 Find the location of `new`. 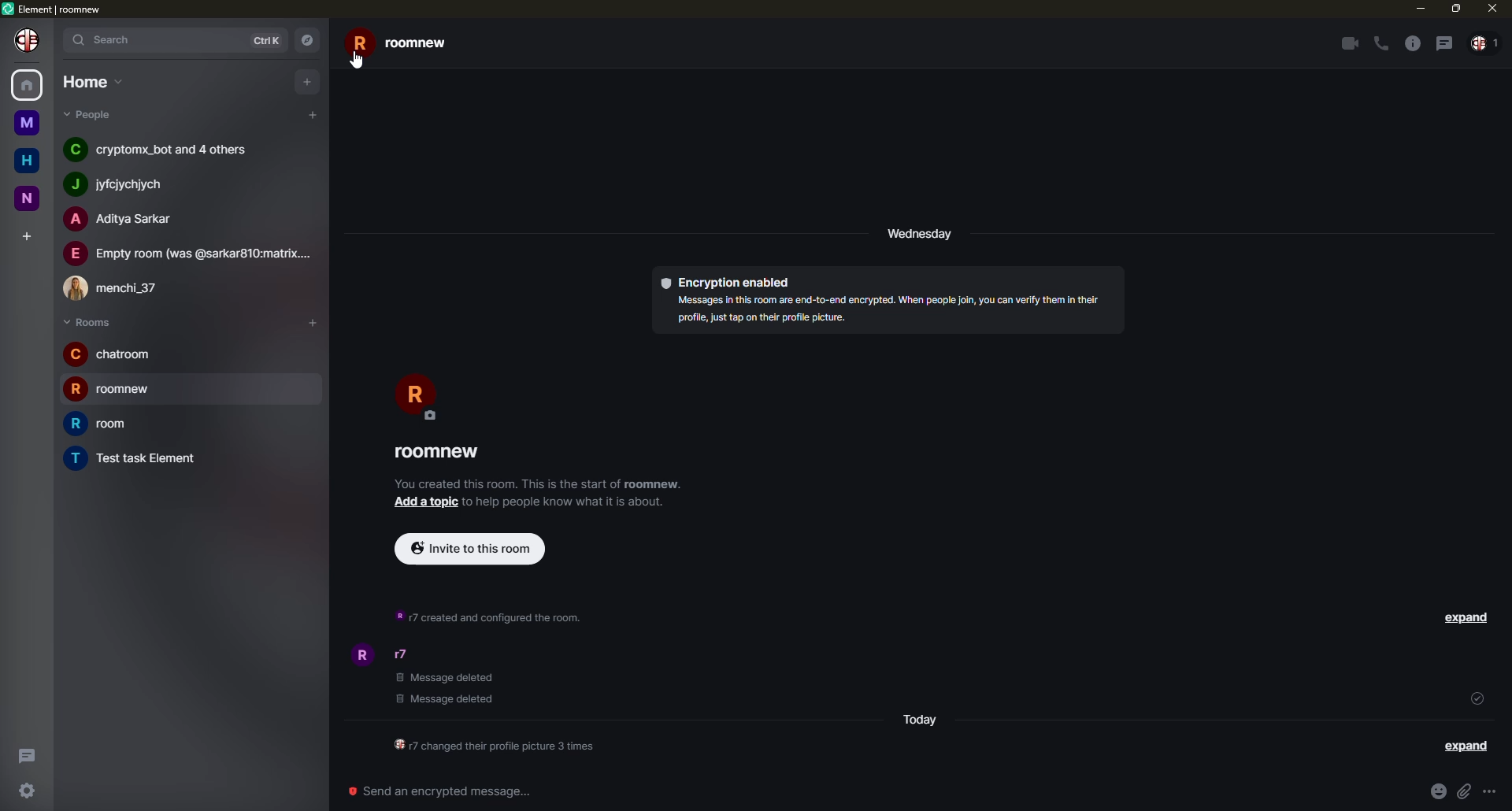

new is located at coordinates (27, 199).